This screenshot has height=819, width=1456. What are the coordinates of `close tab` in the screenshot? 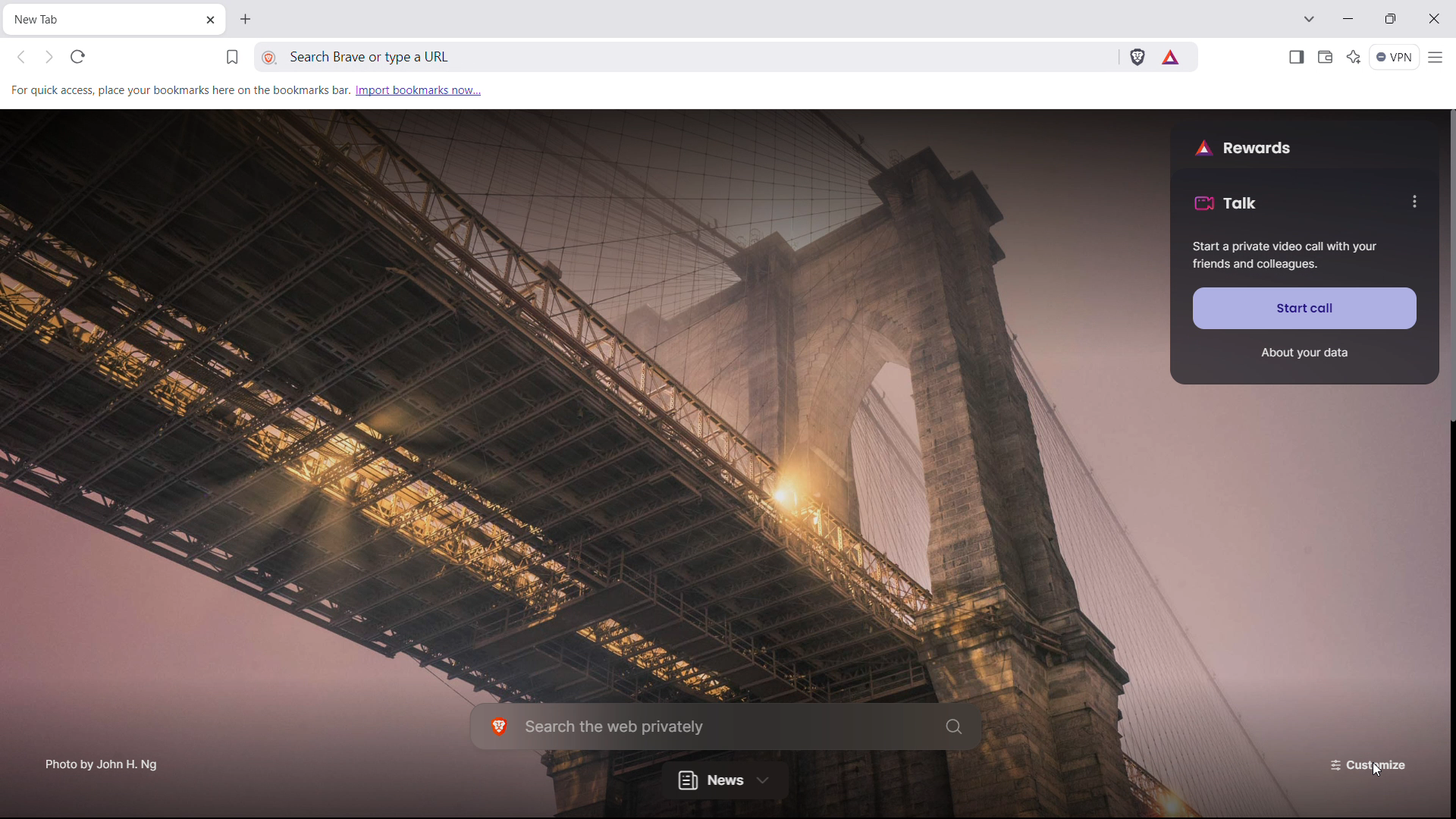 It's located at (209, 21).